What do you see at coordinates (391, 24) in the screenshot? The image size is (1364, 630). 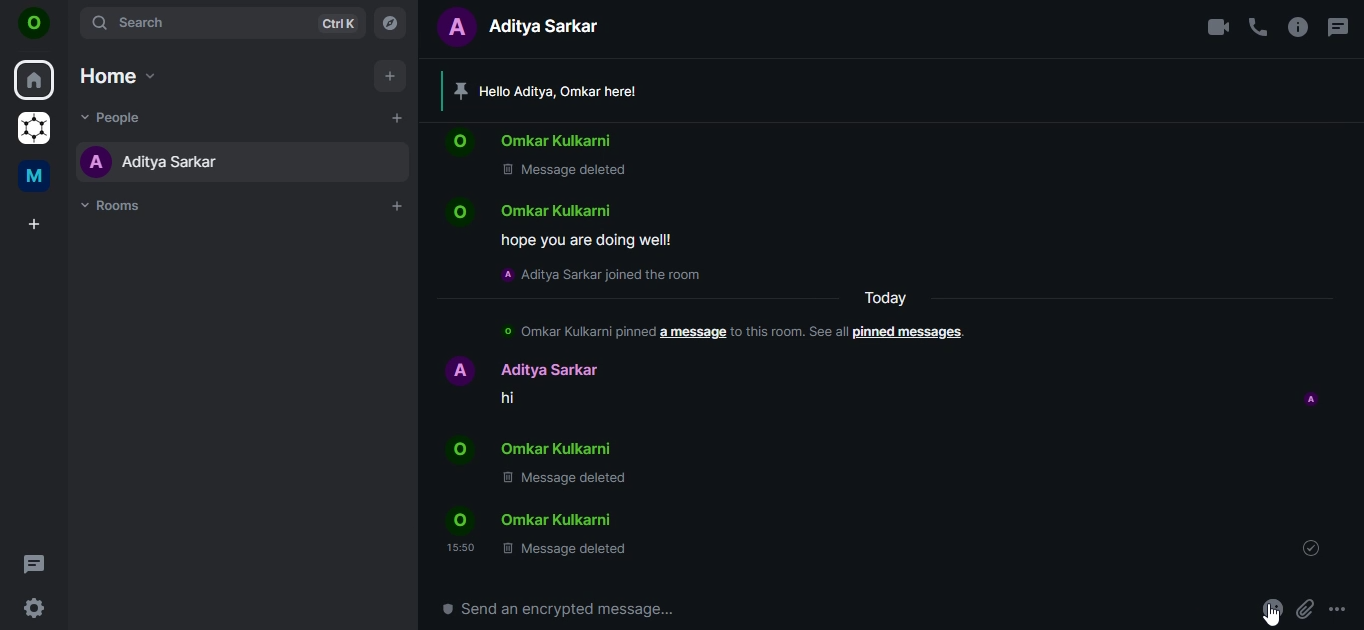 I see `explore rooms` at bounding box center [391, 24].